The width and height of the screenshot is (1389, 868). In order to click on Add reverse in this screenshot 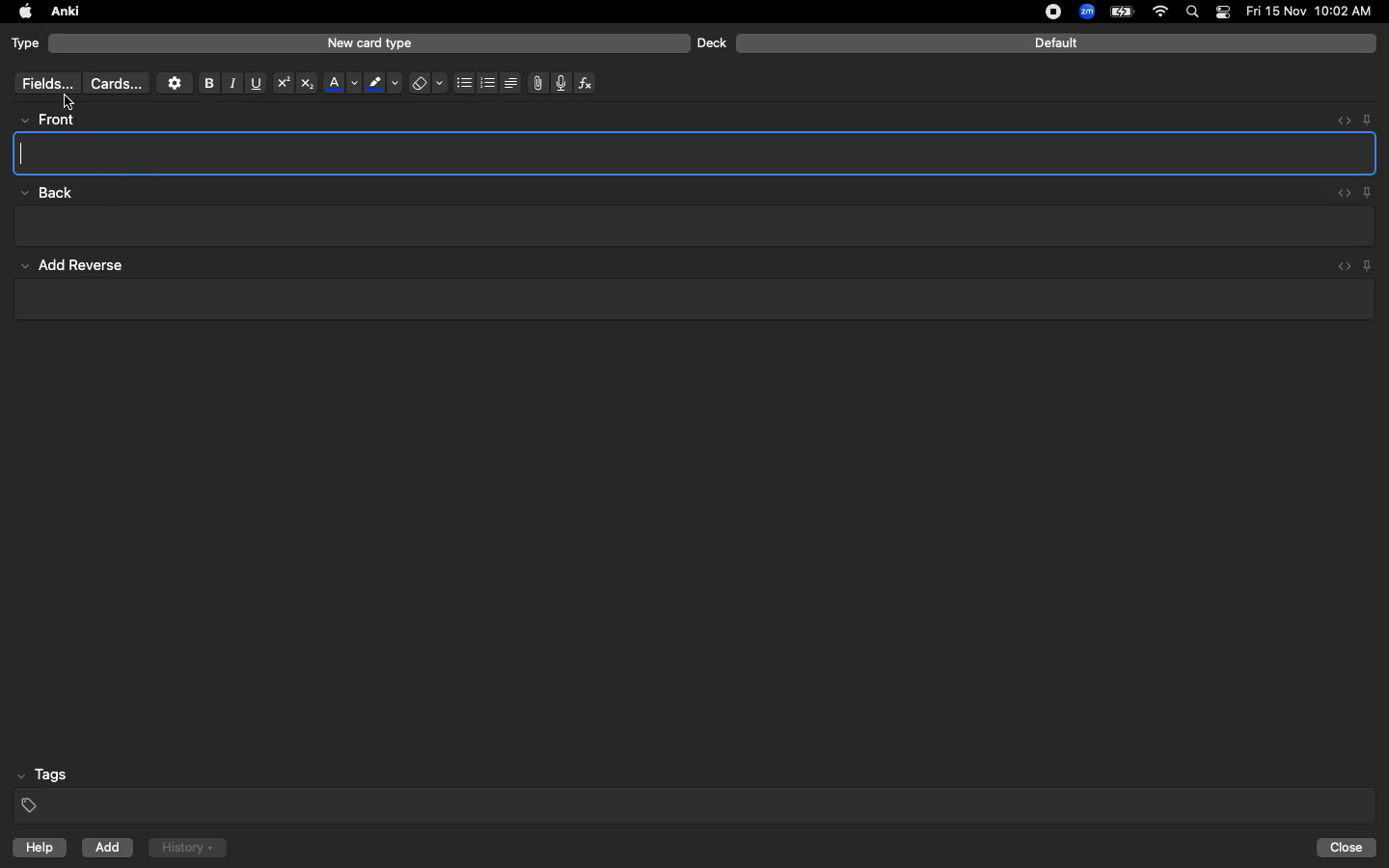, I will do `click(694, 285)`.